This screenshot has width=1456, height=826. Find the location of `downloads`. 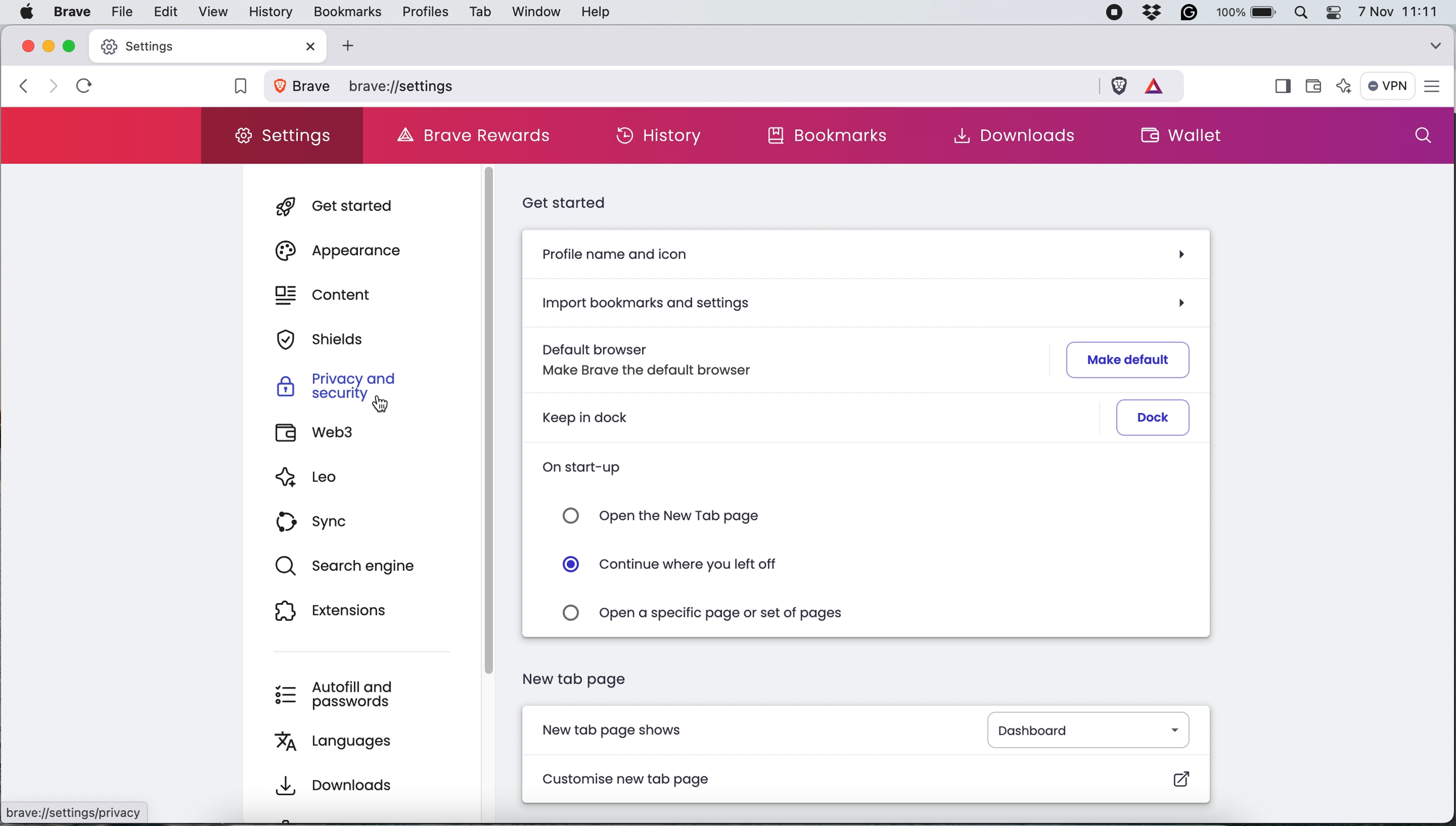

downloads is located at coordinates (326, 782).